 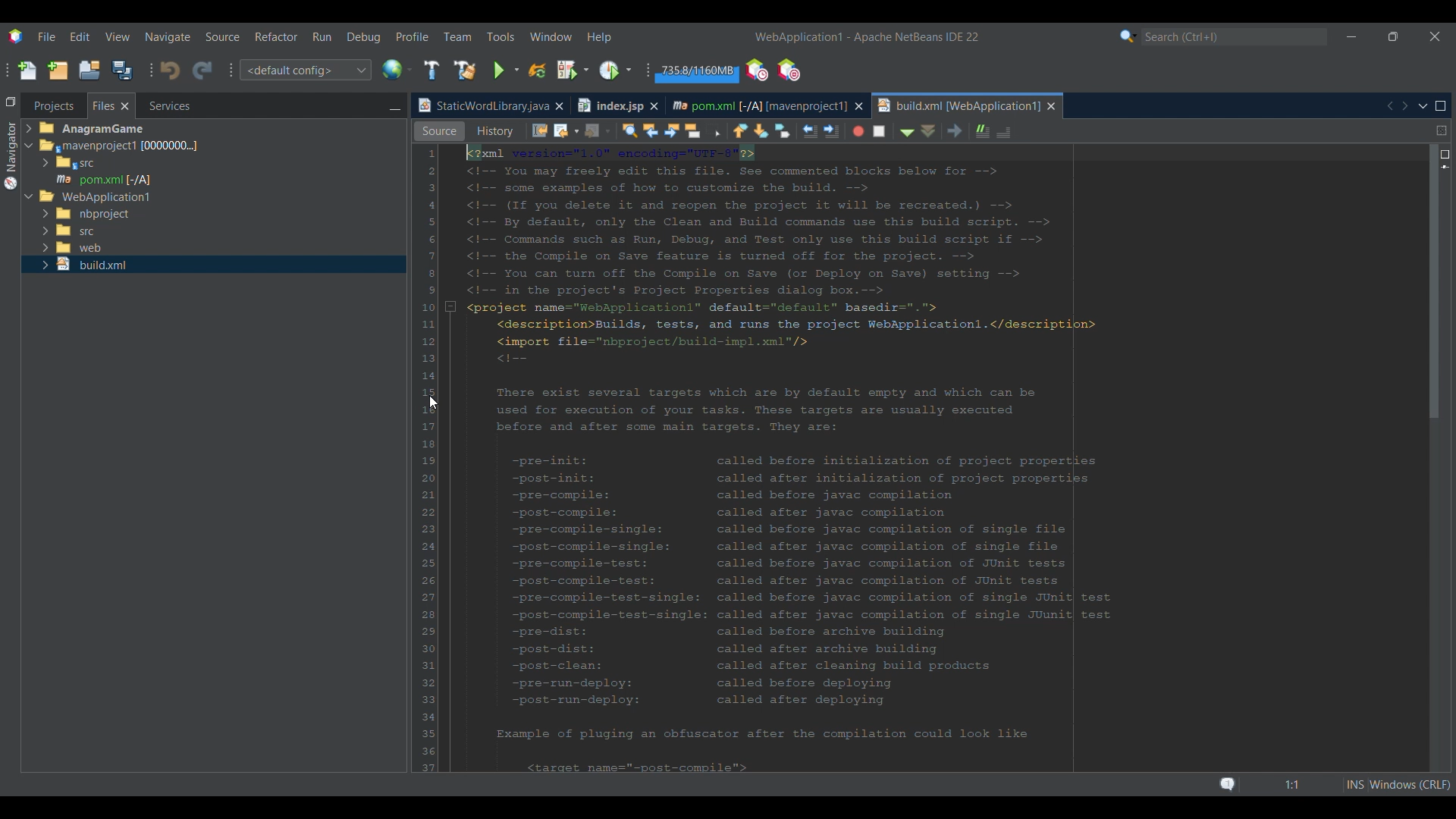 What do you see at coordinates (808, 131) in the screenshot?
I see `Find next occurrence ` at bounding box center [808, 131].